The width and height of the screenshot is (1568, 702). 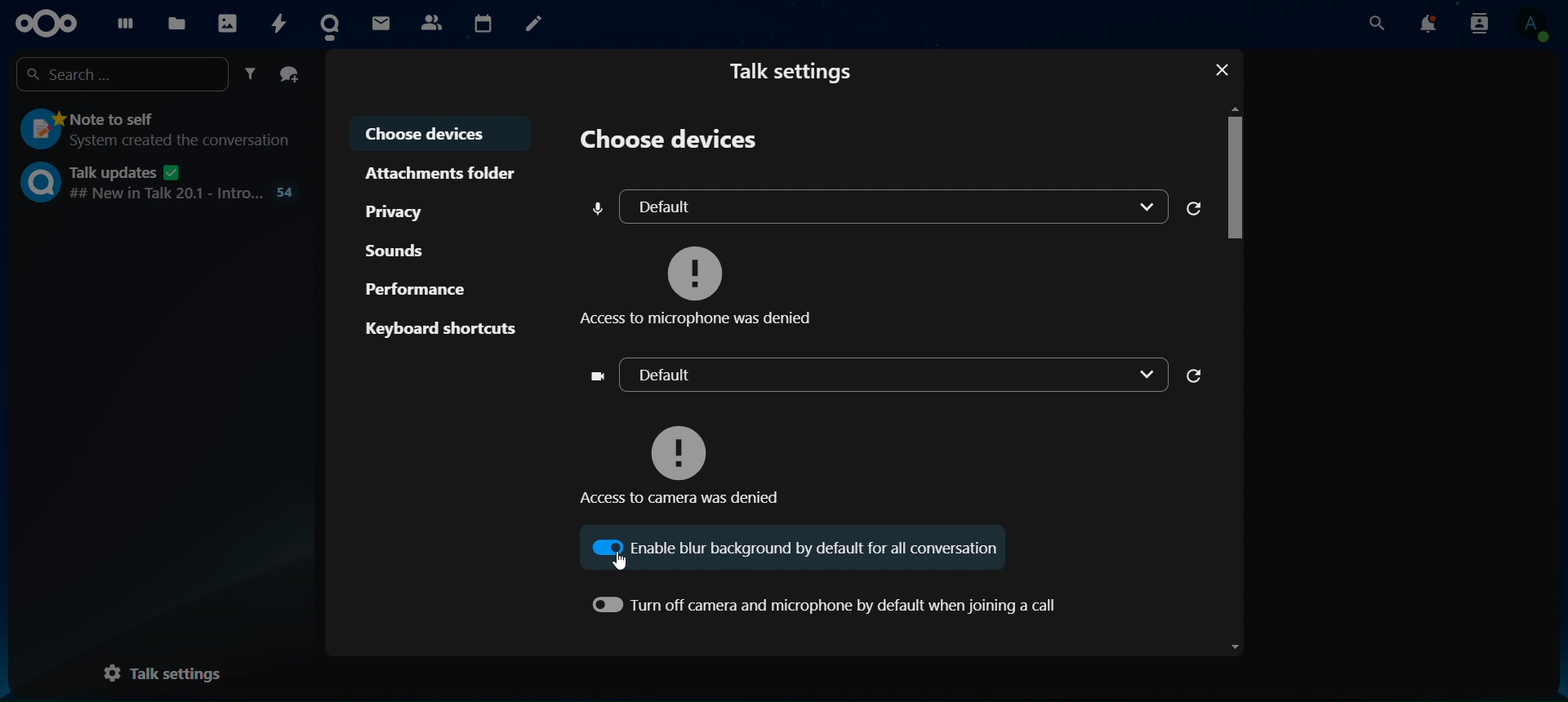 What do you see at coordinates (120, 23) in the screenshot?
I see `dashboard` at bounding box center [120, 23].